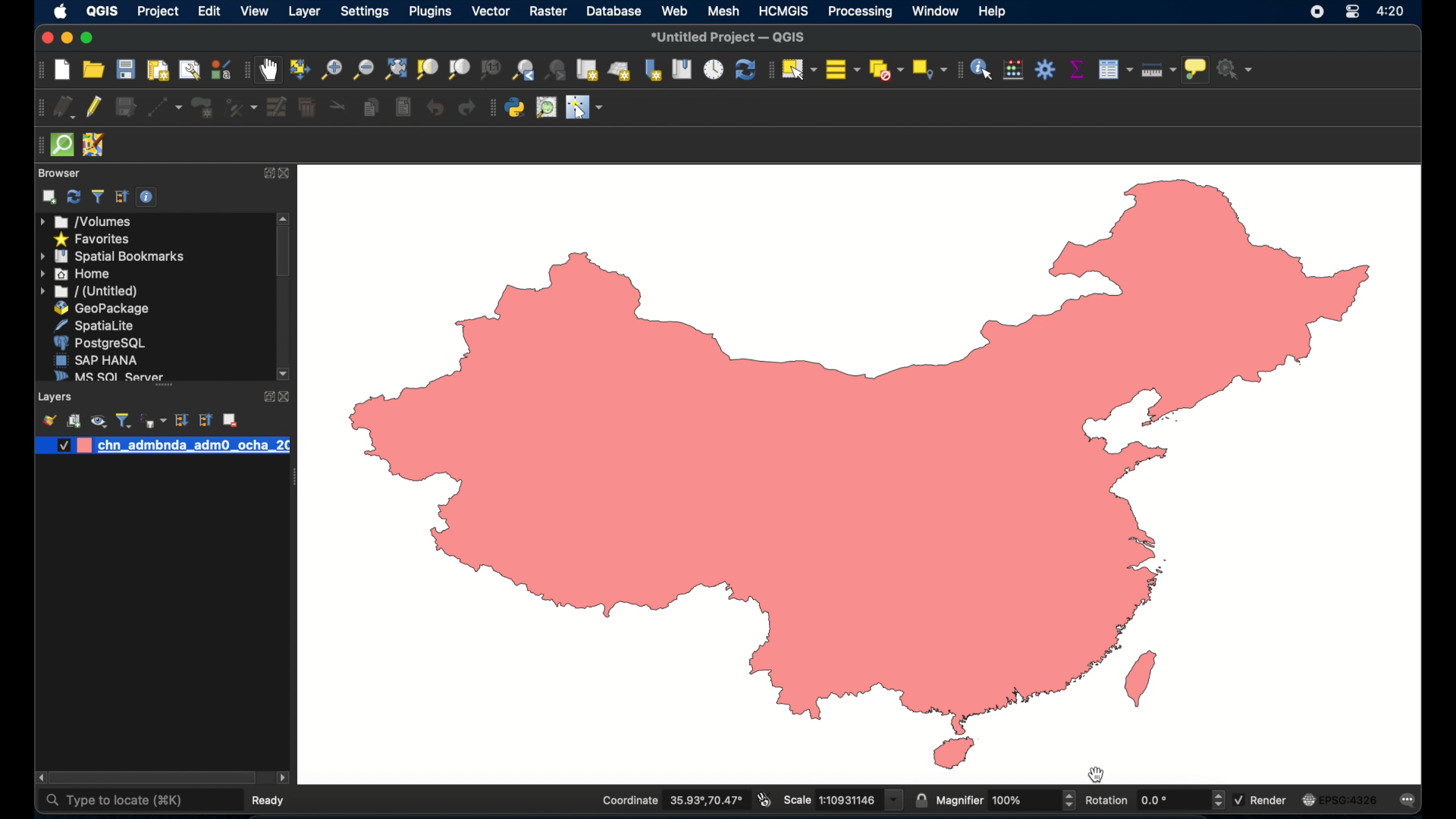 The image size is (1456, 819). I want to click on Coordinate 35.93°,70.47°, so click(673, 800).